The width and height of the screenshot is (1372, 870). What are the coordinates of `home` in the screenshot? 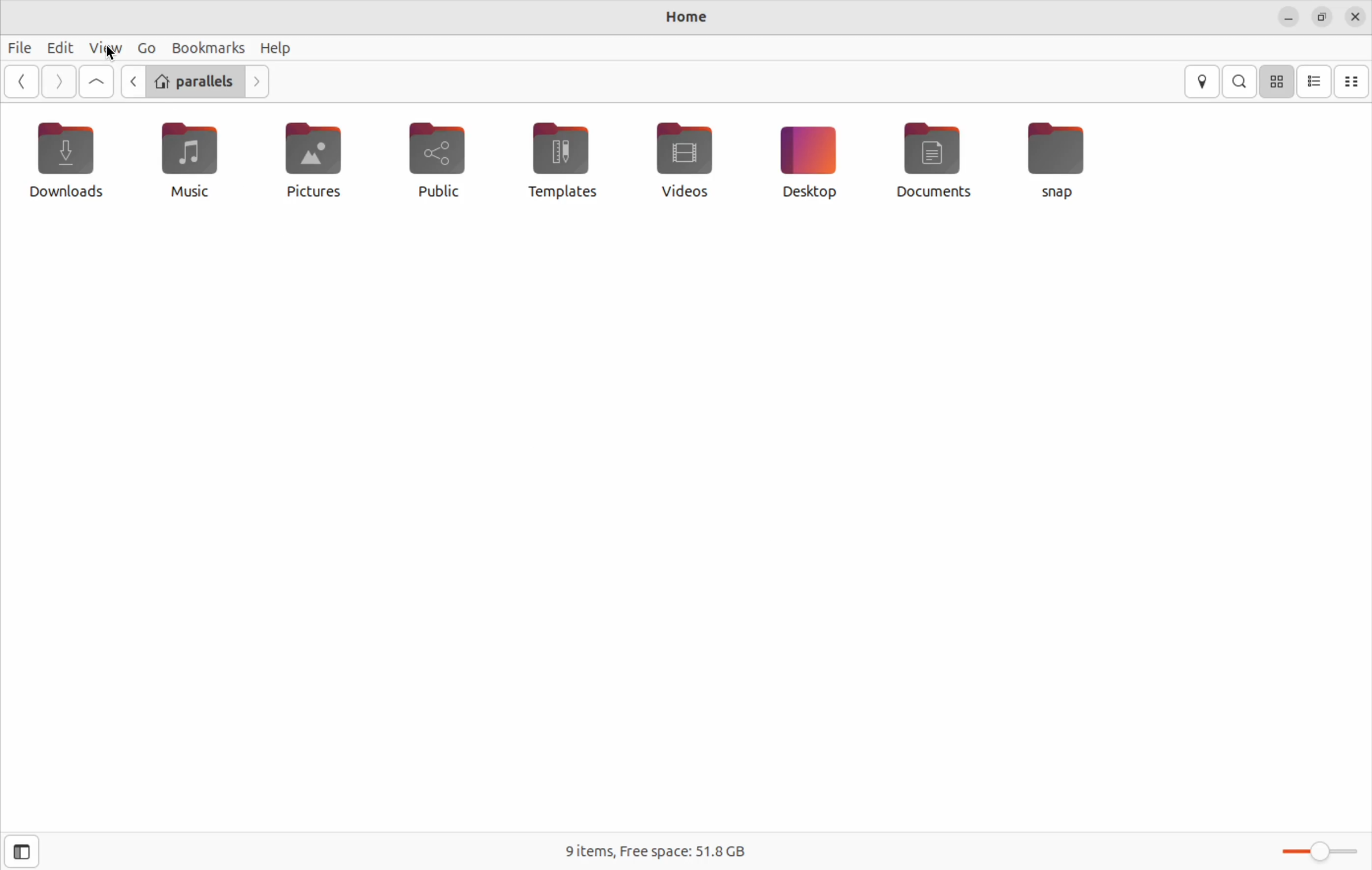 It's located at (682, 18).